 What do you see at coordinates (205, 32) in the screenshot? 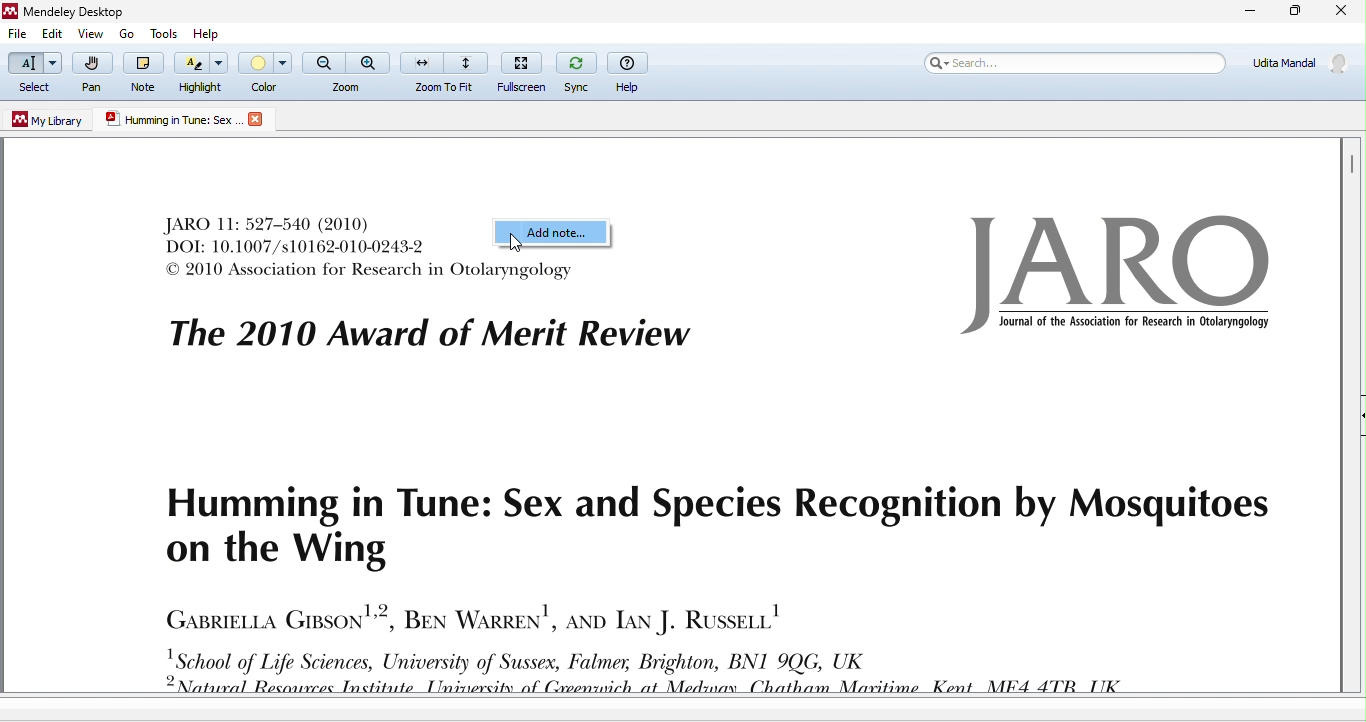
I see `help` at bounding box center [205, 32].